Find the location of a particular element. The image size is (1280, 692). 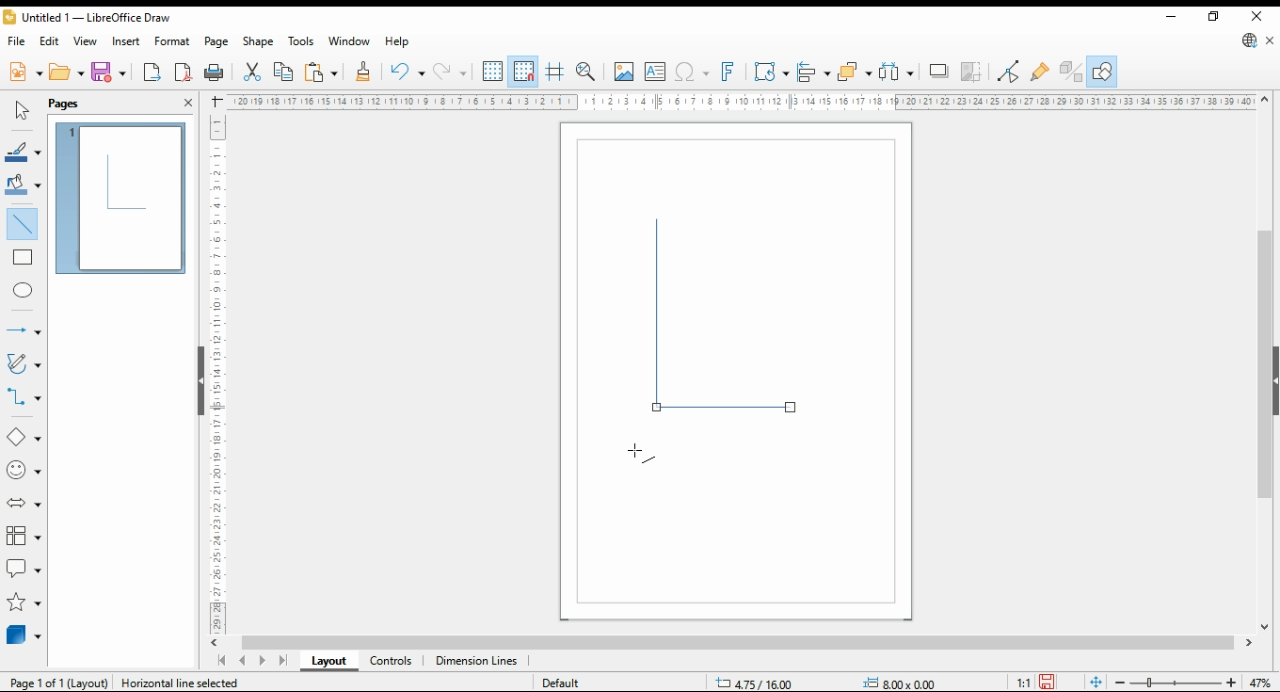

vertical scale is located at coordinates (224, 369).